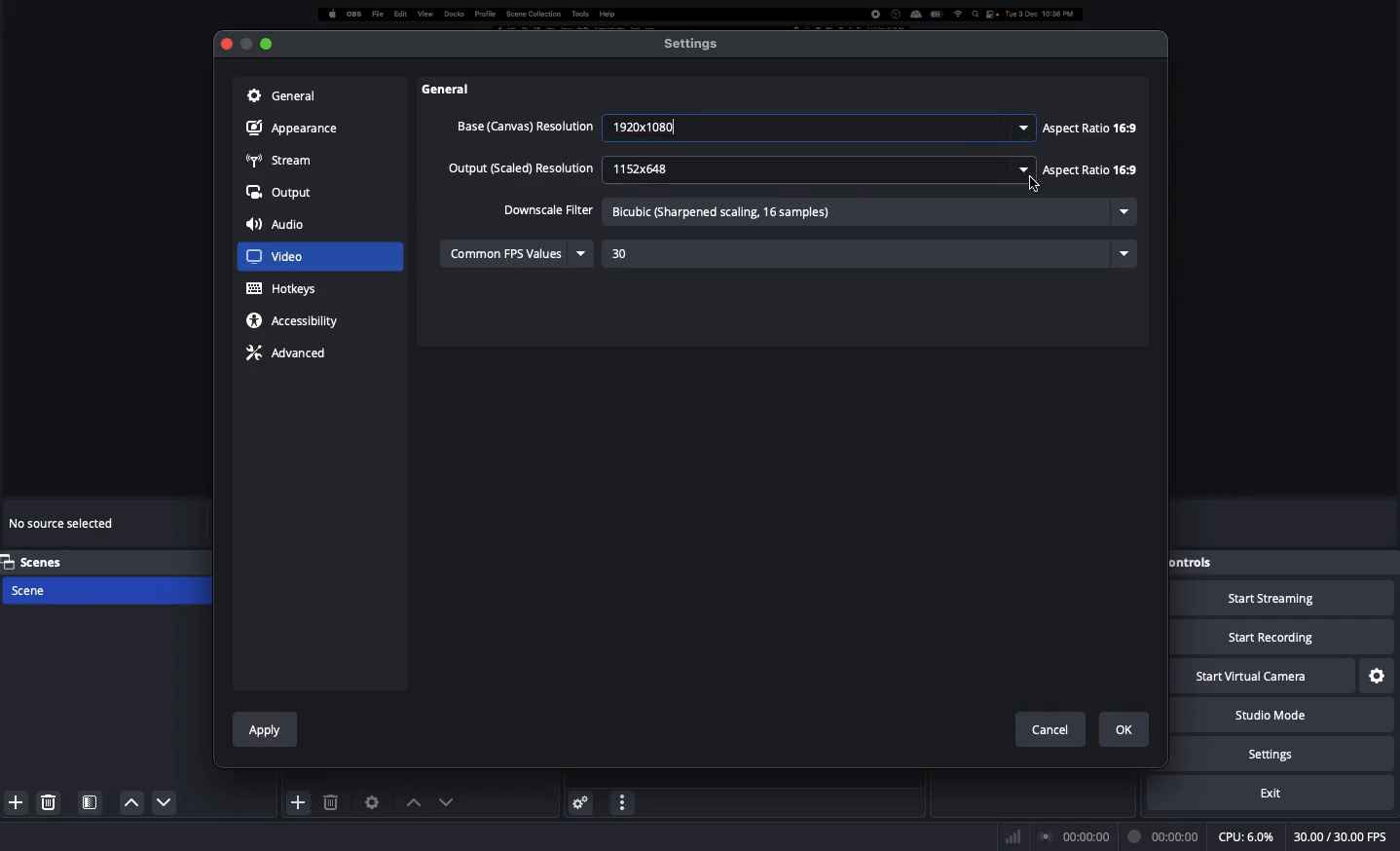 The image size is (1400, 851). What do you see at coordinates (298, 320) in the screenshot?
I see `Accessibility ` at bounding box center [298, 320].